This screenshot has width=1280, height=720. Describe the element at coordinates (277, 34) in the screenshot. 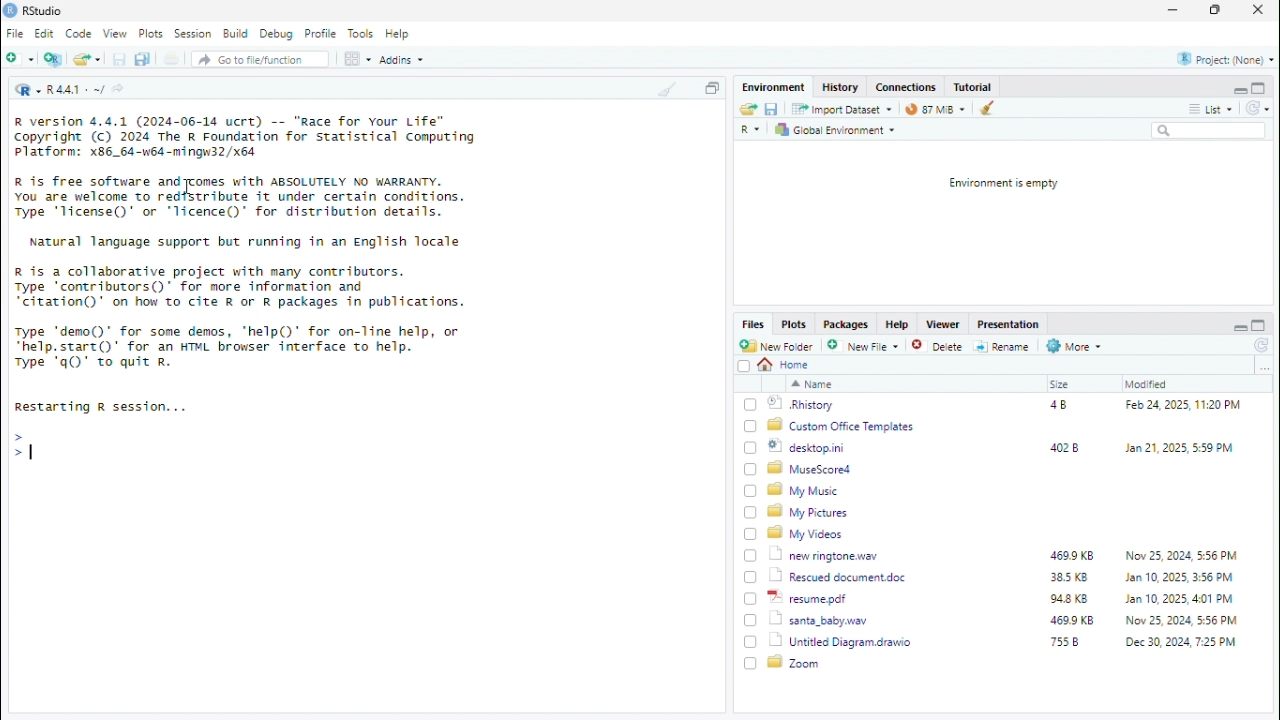

I see `Debug` at that location.